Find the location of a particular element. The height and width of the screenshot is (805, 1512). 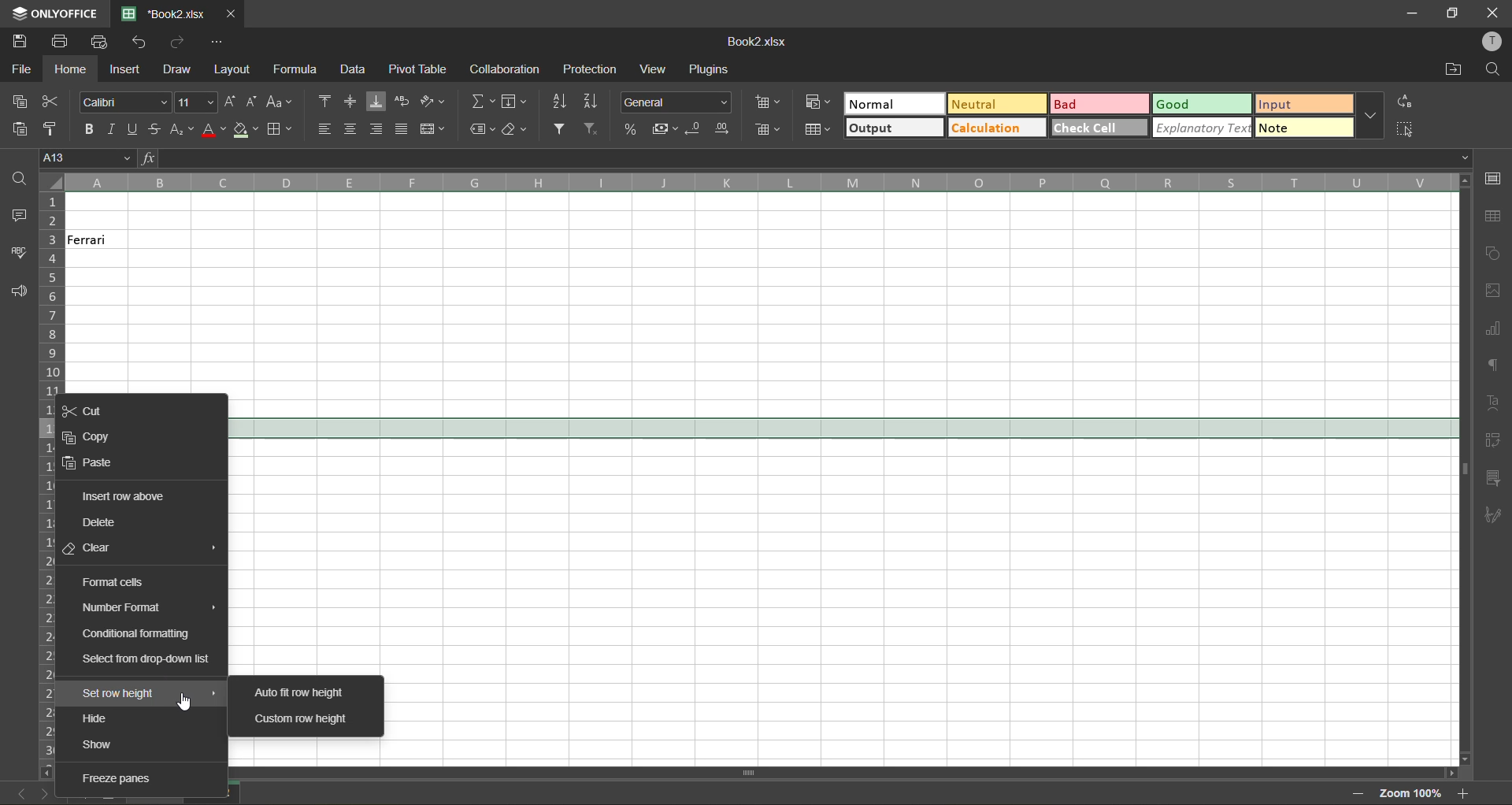

redo is located at coordinates (180, 43).